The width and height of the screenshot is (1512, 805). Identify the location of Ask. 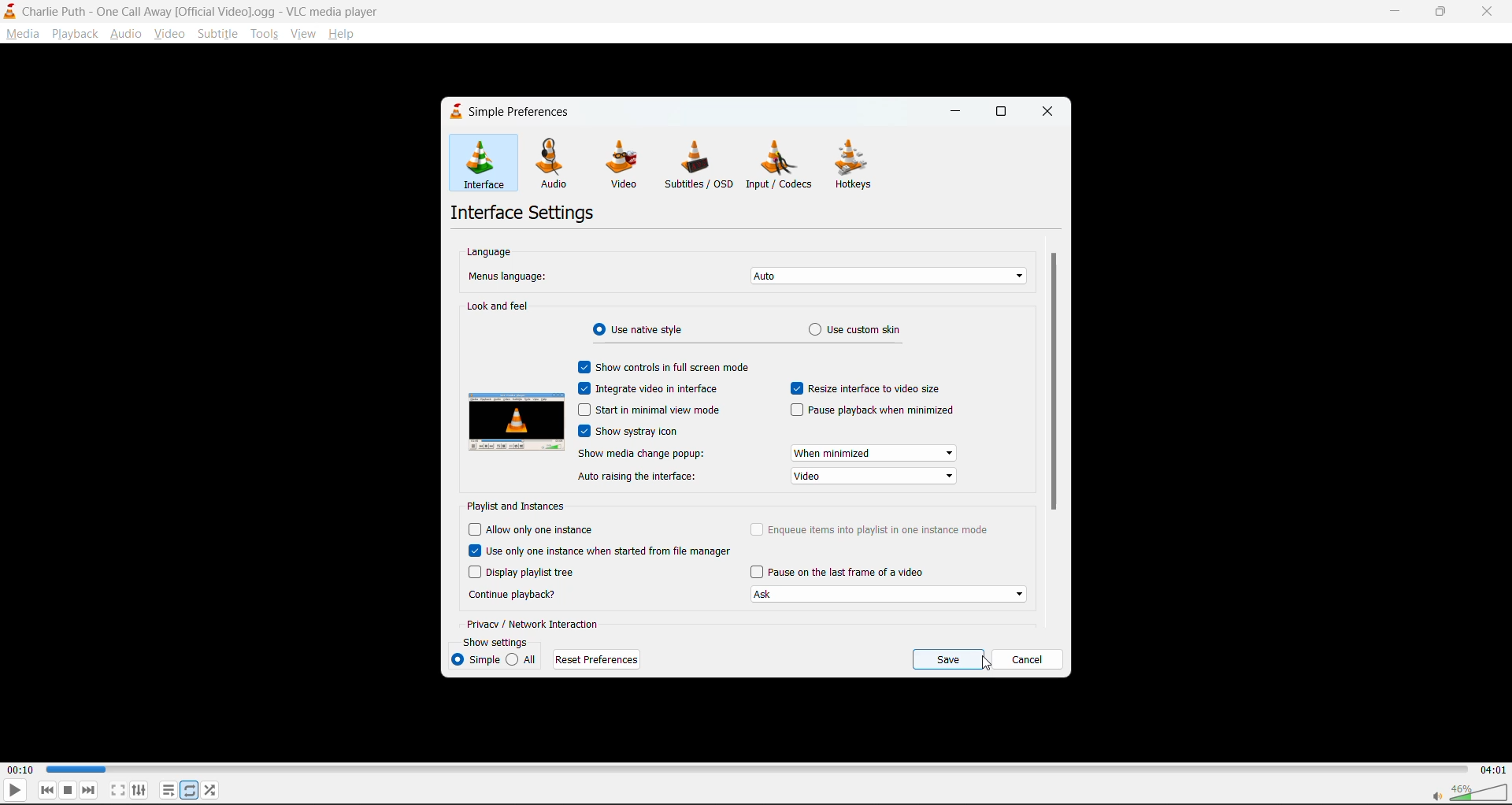
(891, 595).